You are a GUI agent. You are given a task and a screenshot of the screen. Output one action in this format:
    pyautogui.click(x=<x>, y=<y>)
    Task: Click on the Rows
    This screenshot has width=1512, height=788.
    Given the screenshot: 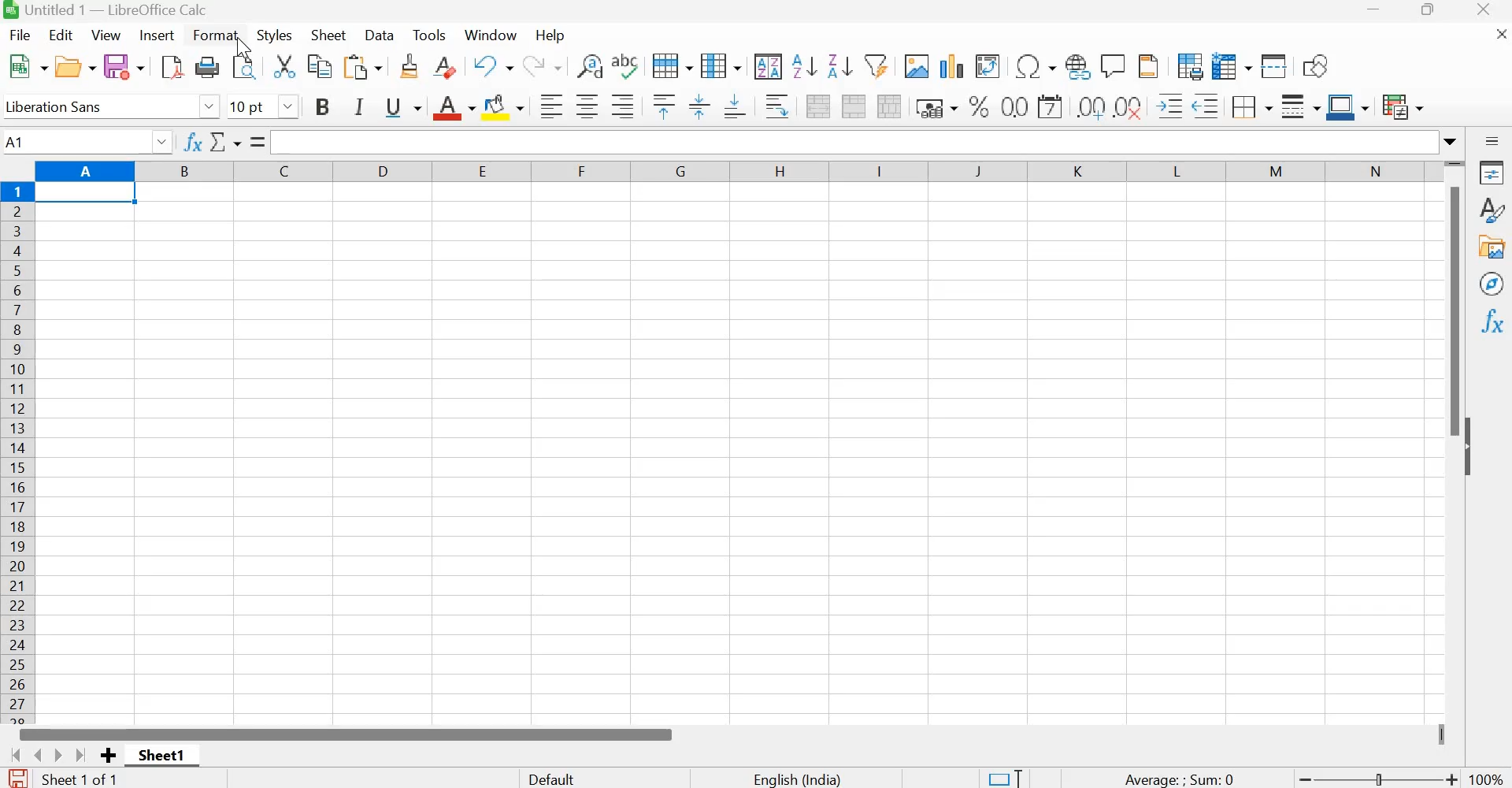 What is the action you would take?
    pyautogui.click(x=735, y=170)
    